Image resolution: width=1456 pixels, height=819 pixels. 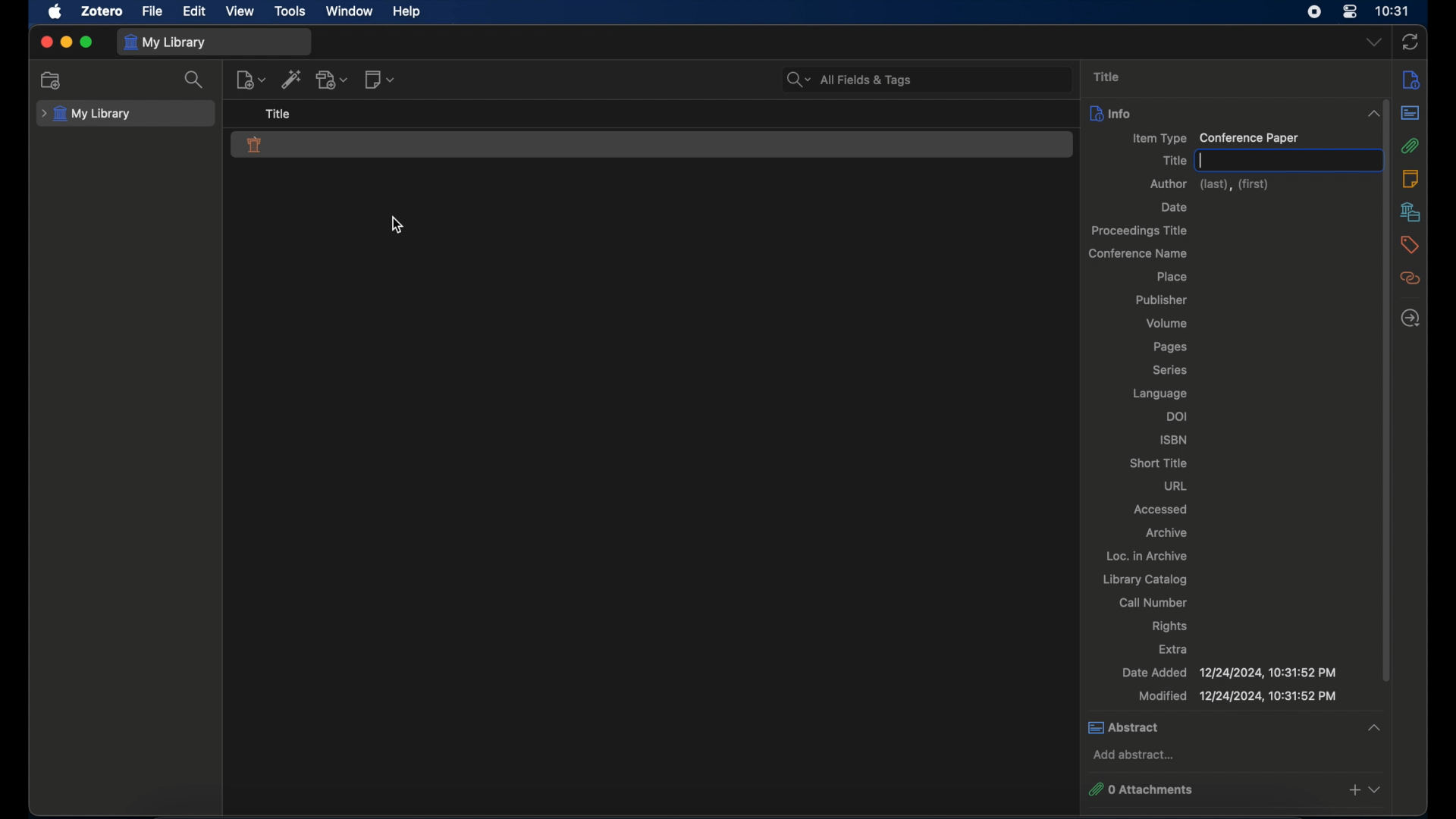 I want to click on series, so click(x=1170, y=369).